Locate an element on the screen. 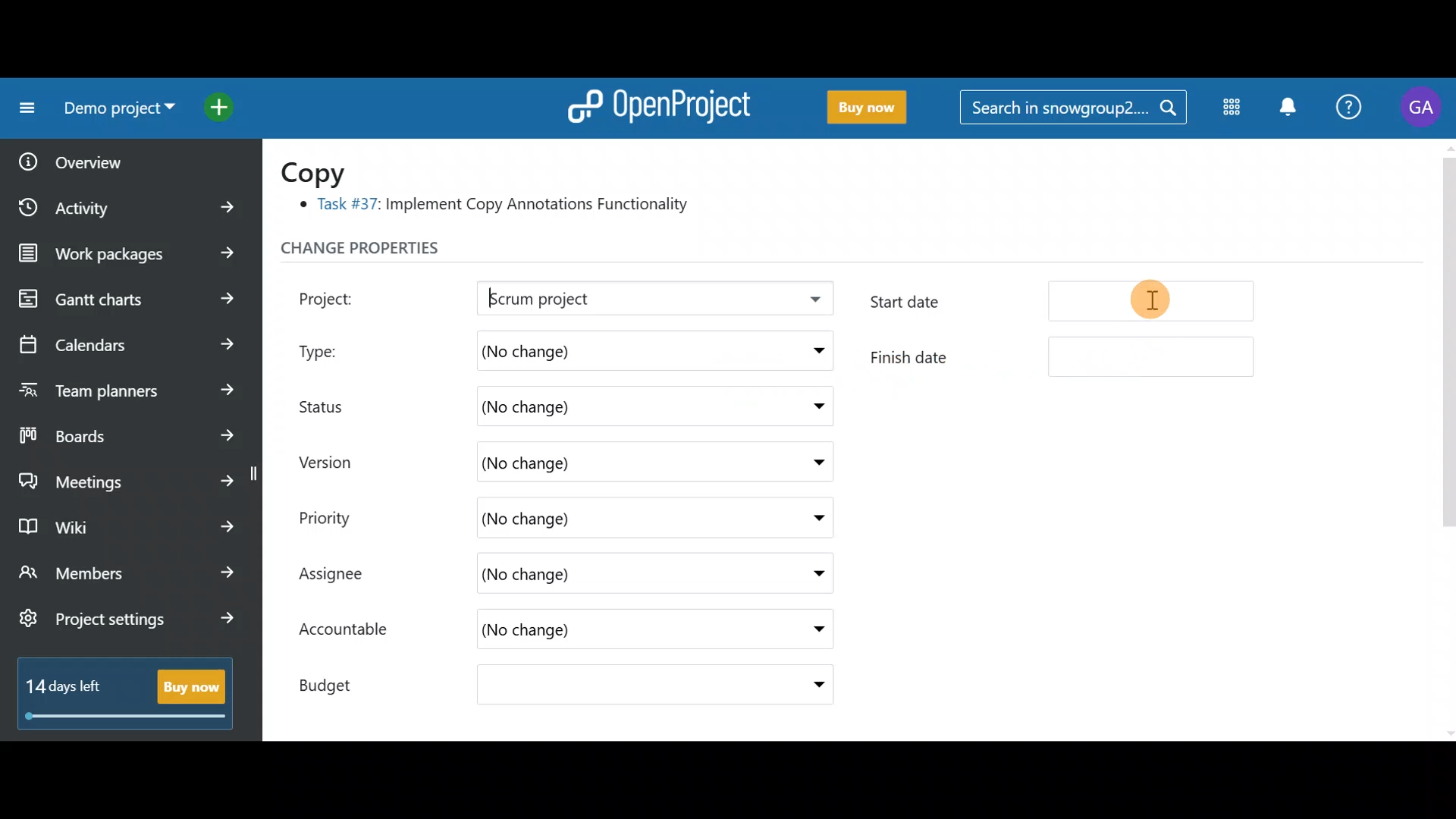 The image size is (1456, 819). Demo project is located at coordinates (610, 300).